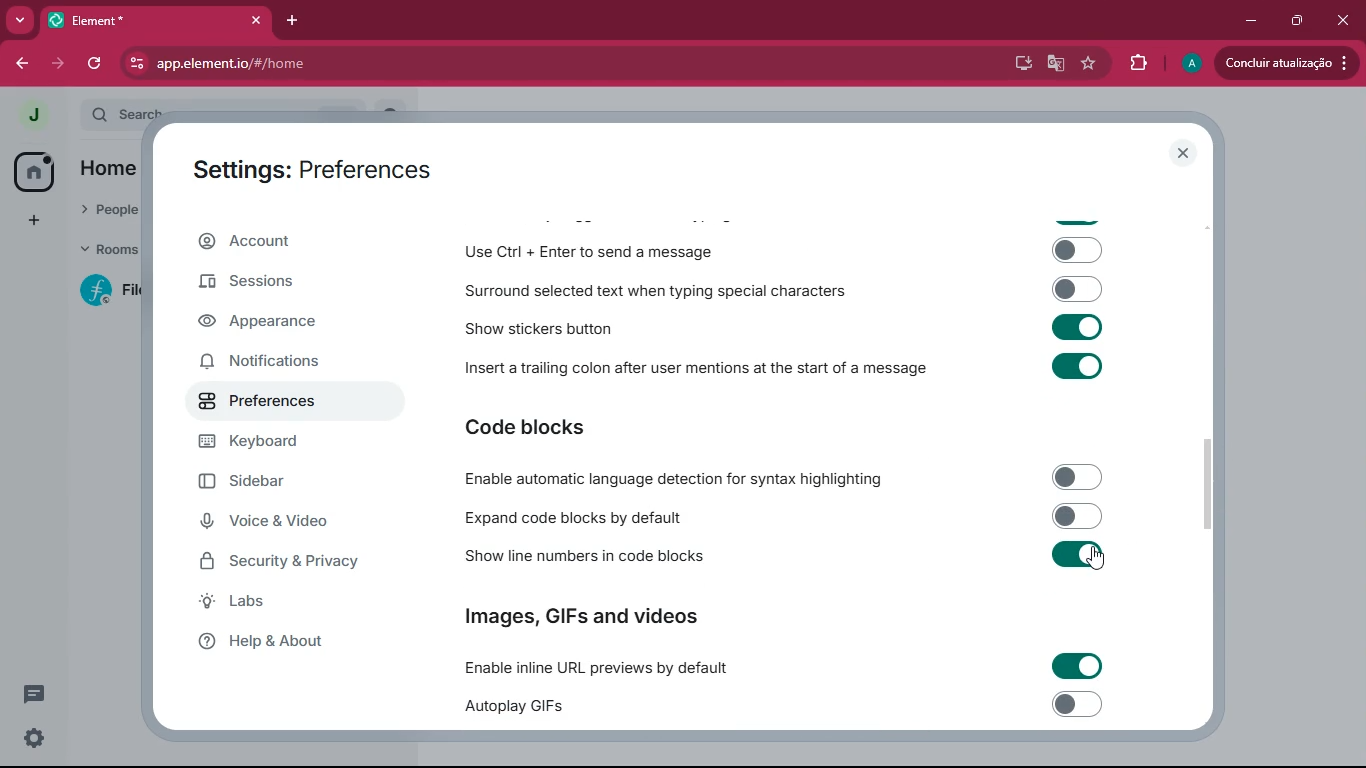 The width and height of the screenshot is (1366, 768). What do you see at coordinates (278, 482) in the screenshot?
I see `sidebar` at bounding box center [278, 482].